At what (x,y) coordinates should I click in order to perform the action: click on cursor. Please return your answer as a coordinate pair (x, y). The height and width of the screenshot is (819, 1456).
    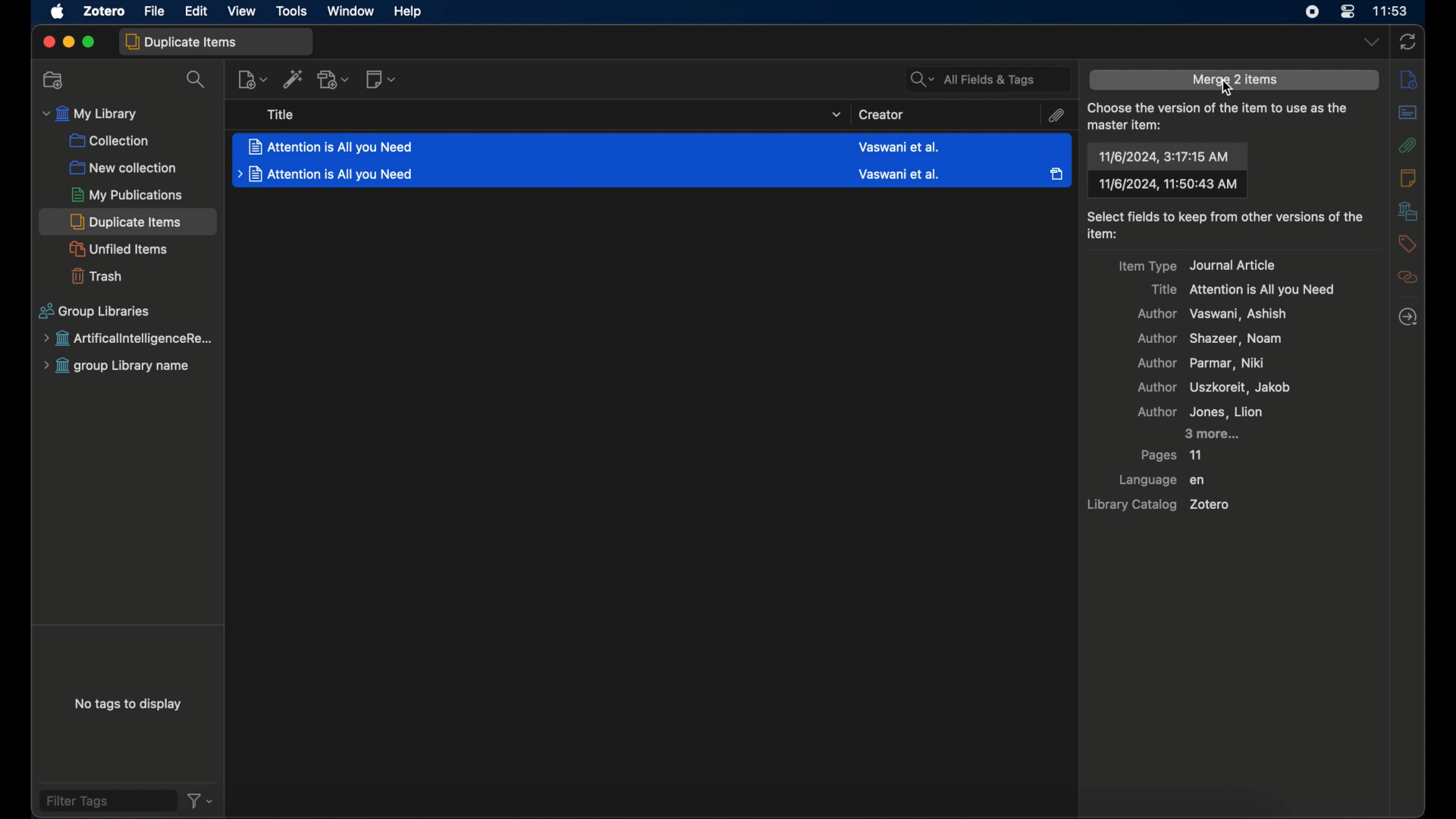
    Looking at the image, I should click on (1227, 88).